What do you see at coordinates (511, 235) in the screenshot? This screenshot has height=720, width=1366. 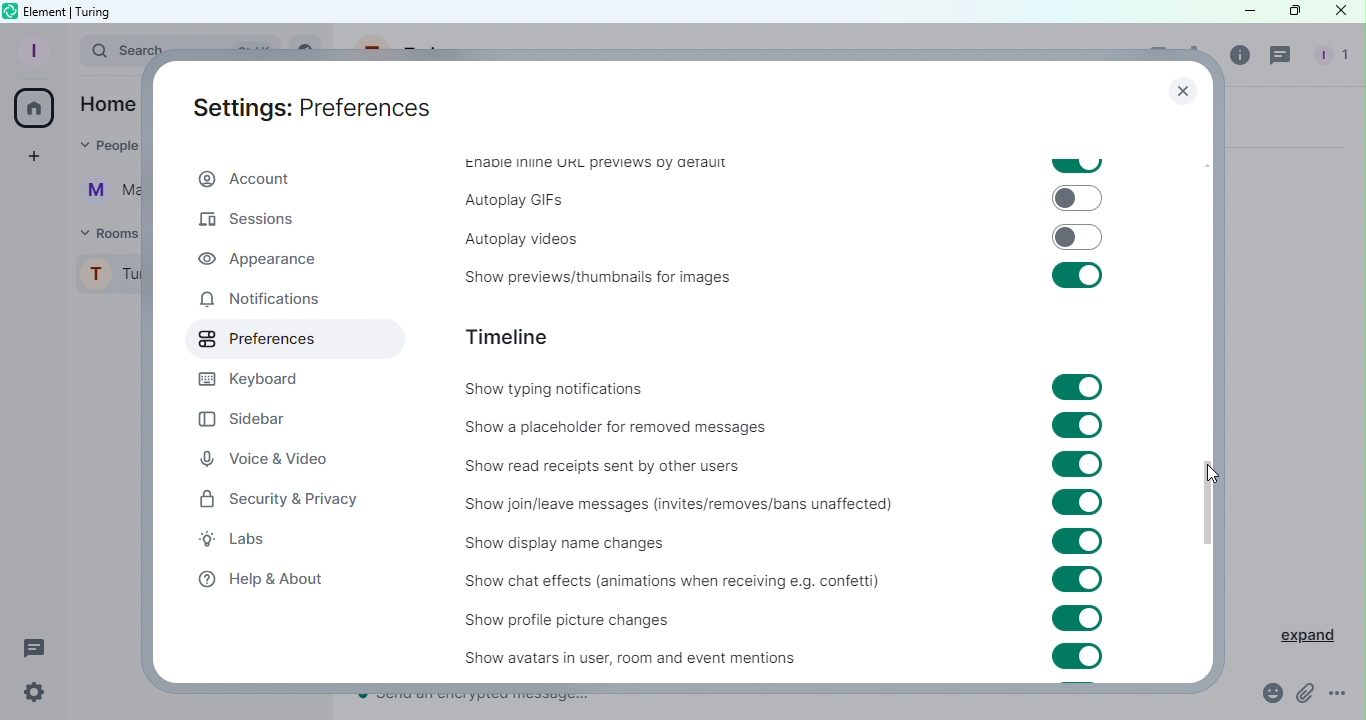 I see `Autoplay videos` at bounding box center [511, 235].